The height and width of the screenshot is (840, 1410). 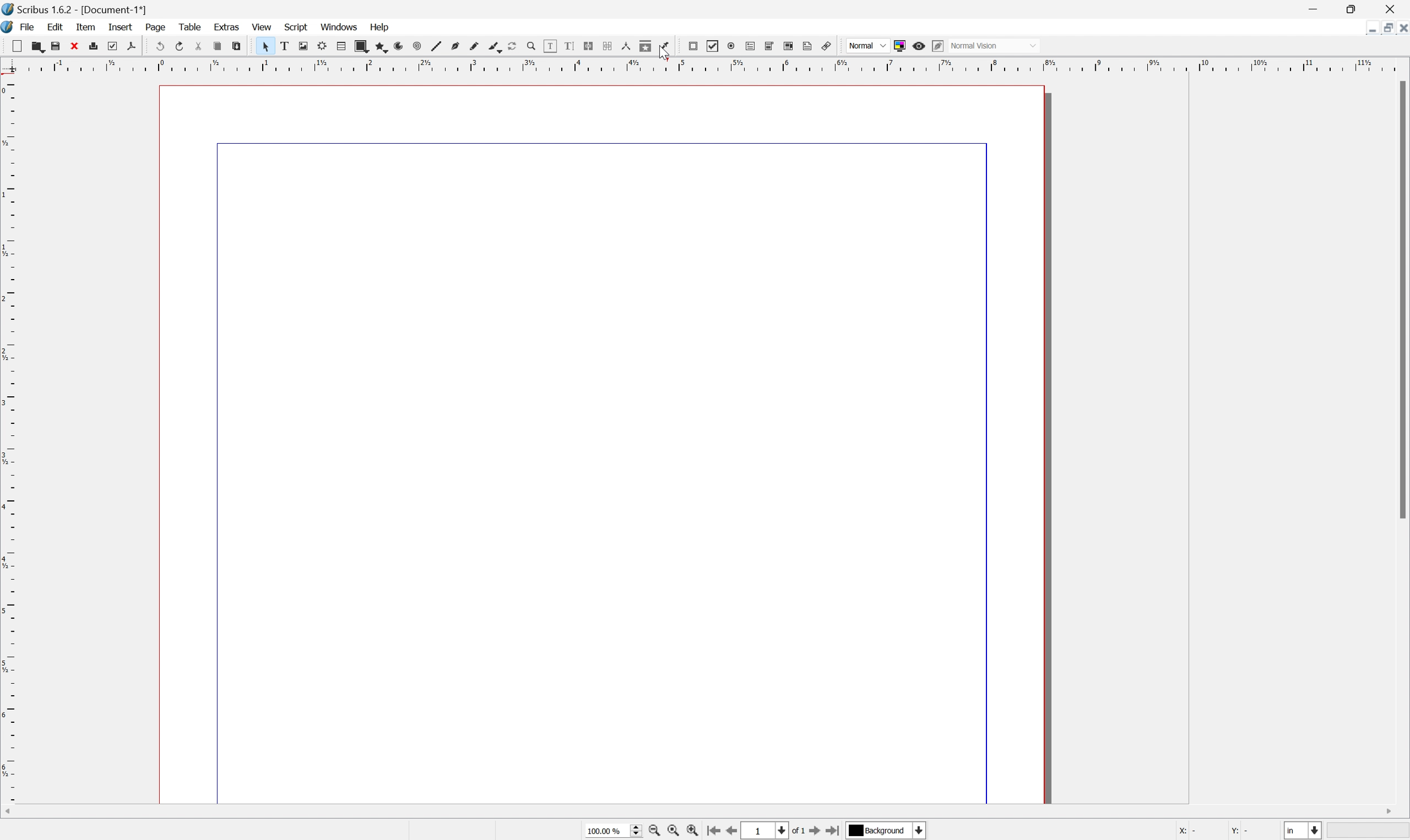 I want to click on Edit in preview mode, so click(x=938, y=45).